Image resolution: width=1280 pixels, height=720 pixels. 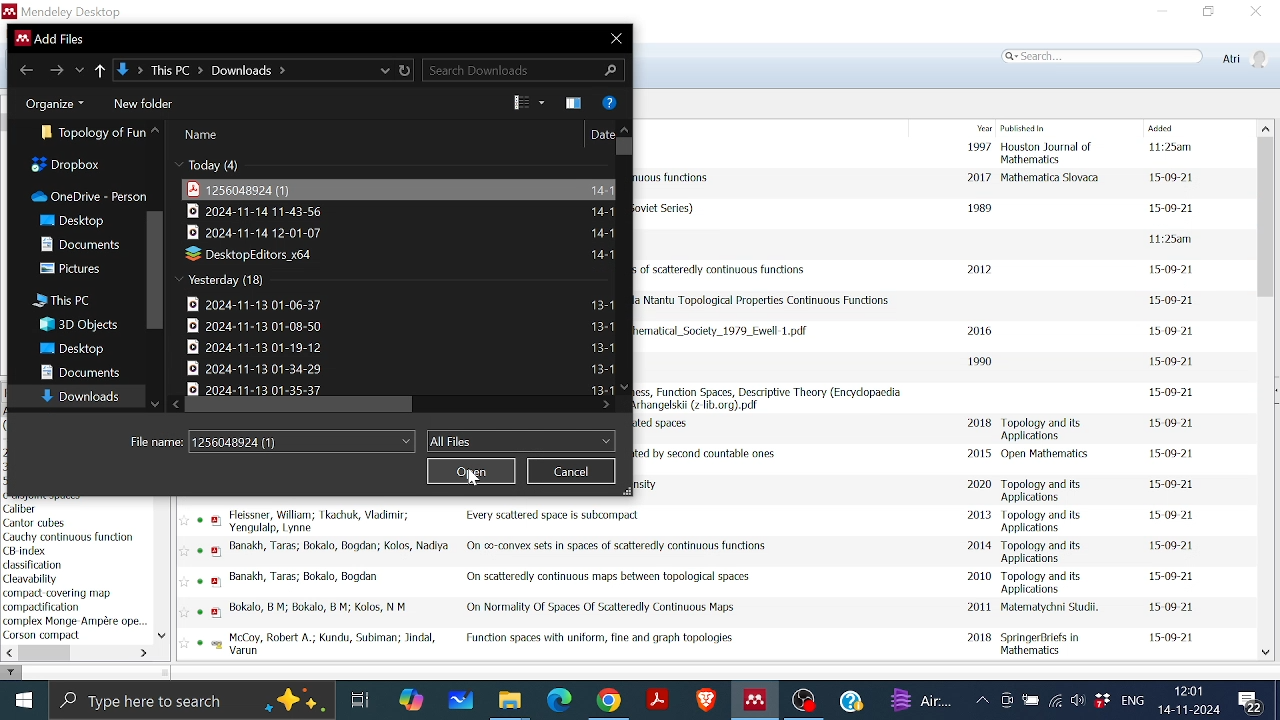 I want to click on FAvourite, so click(x=186, y=521).